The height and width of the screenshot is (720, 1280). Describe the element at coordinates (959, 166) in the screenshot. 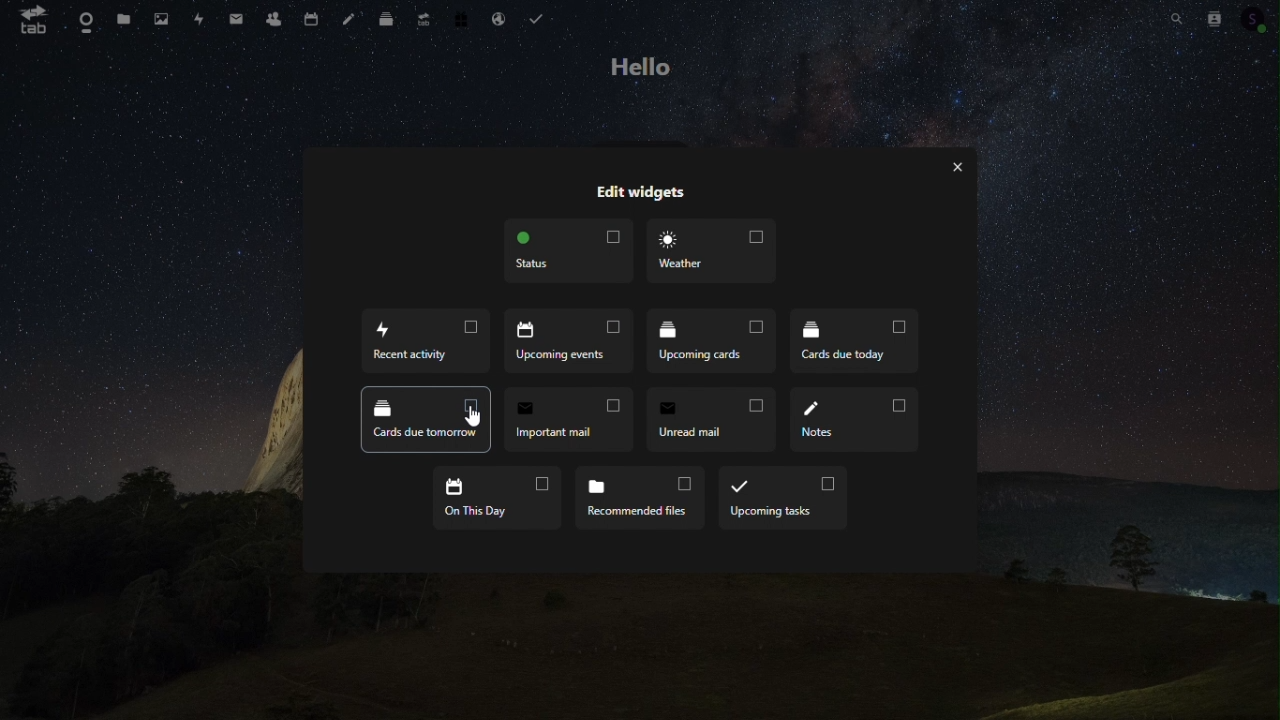

I see `Close` at that location.